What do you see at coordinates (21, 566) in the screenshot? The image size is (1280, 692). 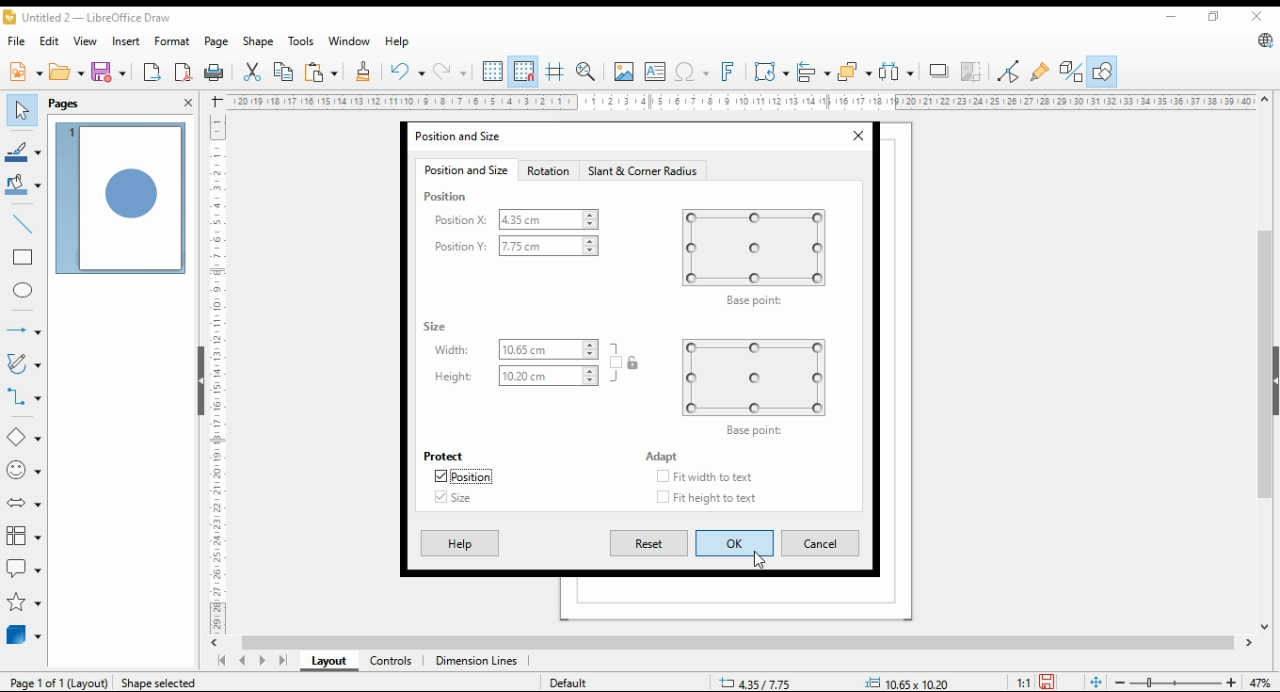 I see `callout shapes` at bounding box center [21, 566].